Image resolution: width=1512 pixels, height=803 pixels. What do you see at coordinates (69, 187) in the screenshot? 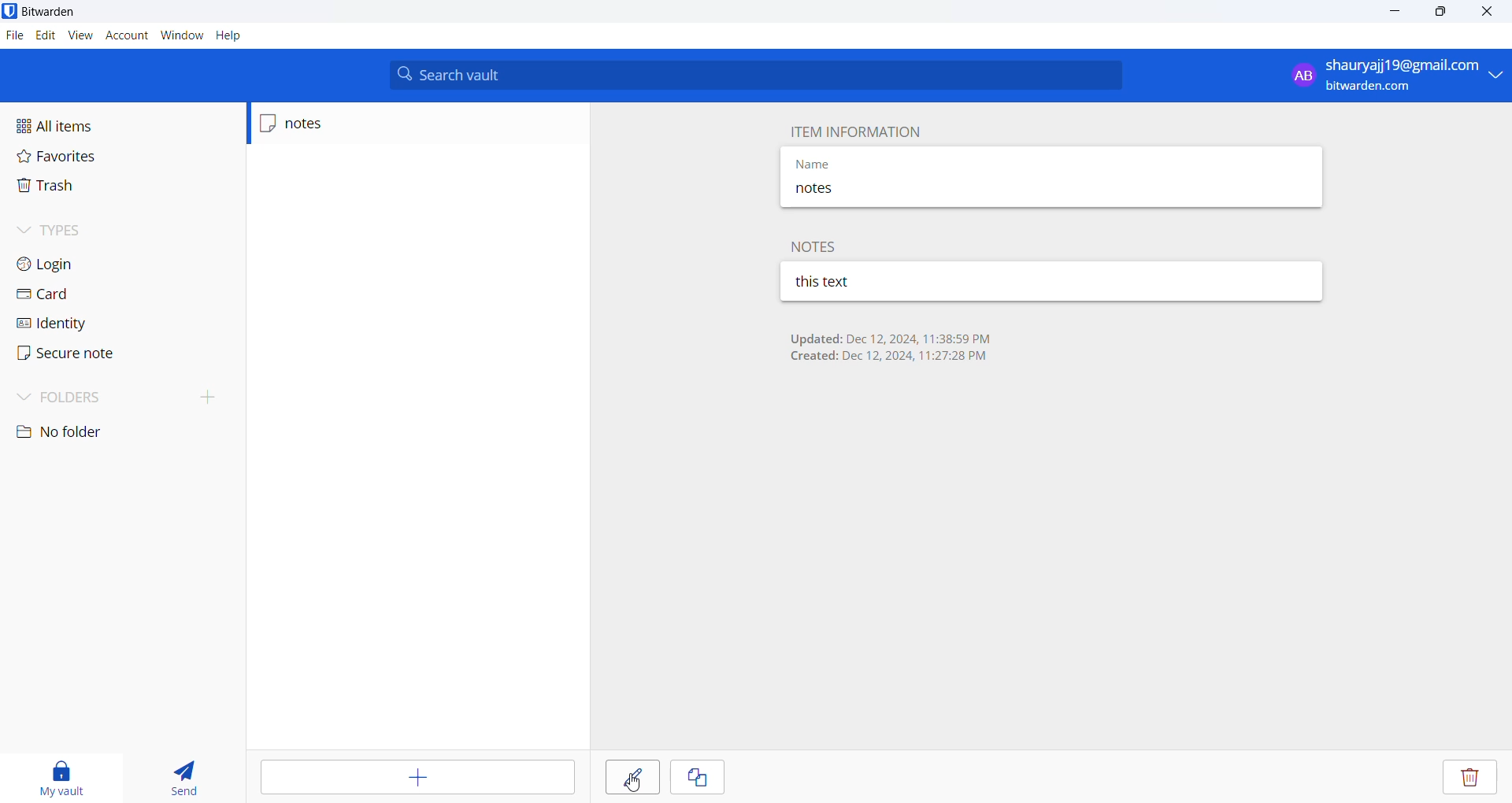
I see `trash` at bounding box center [69, 187].